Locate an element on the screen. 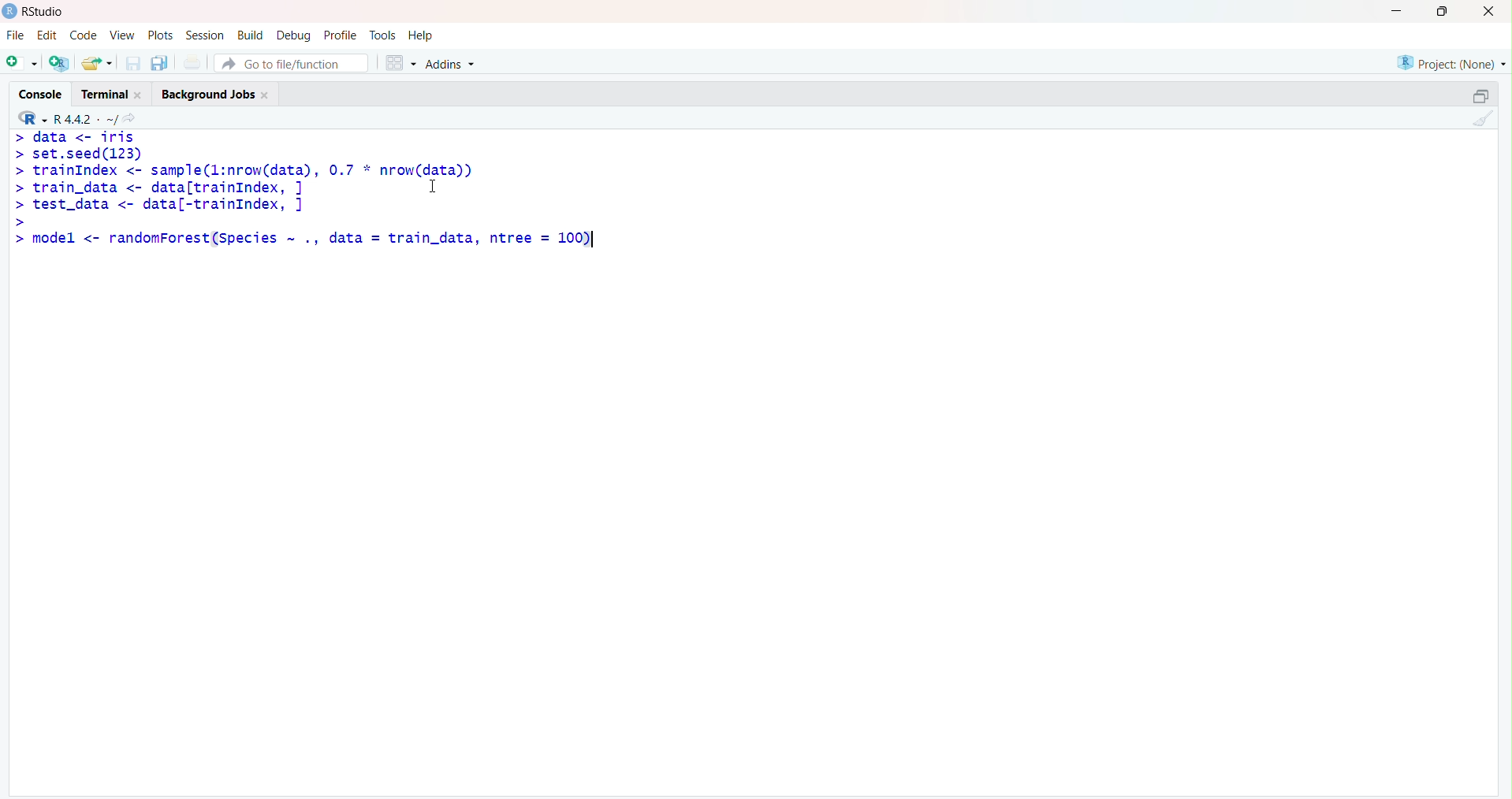 The width and height of the screenshot is (1512, 799). Save current document (Ctrl + S) is located at coordinates (132, 64).